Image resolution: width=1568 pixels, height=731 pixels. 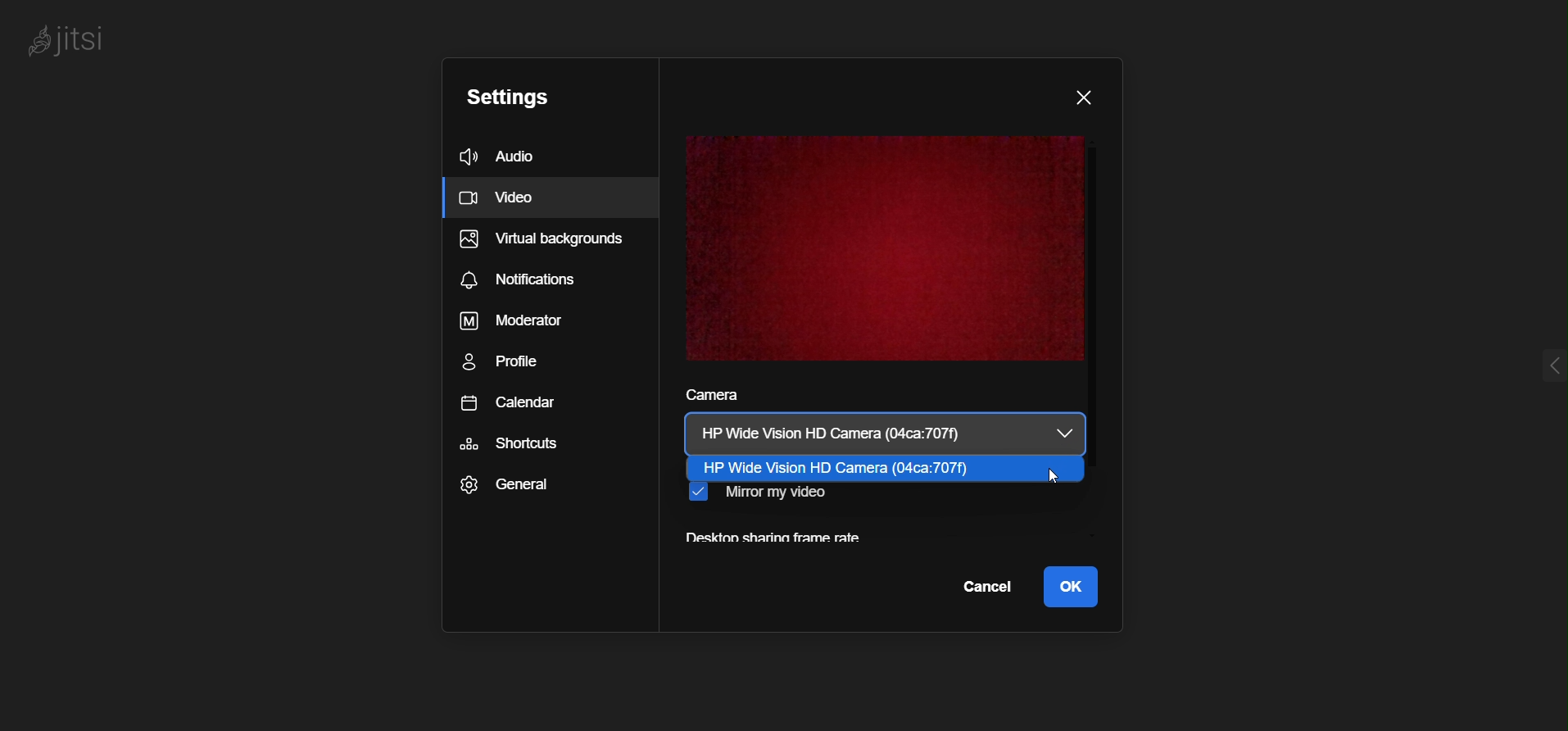 I want to click on virtual background, so click(x=538, y=243).